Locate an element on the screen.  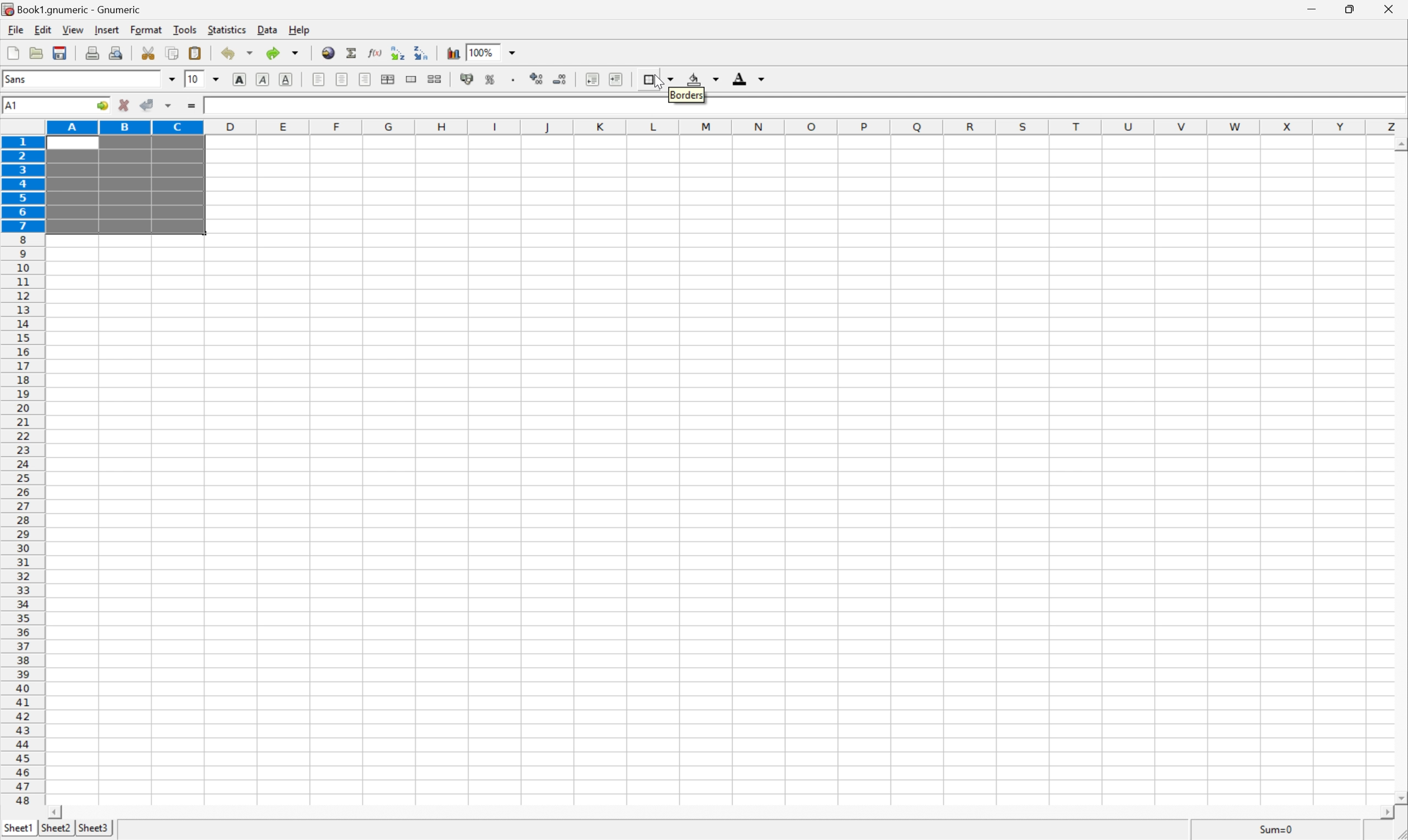
background color is located at coordinates (704, 78).